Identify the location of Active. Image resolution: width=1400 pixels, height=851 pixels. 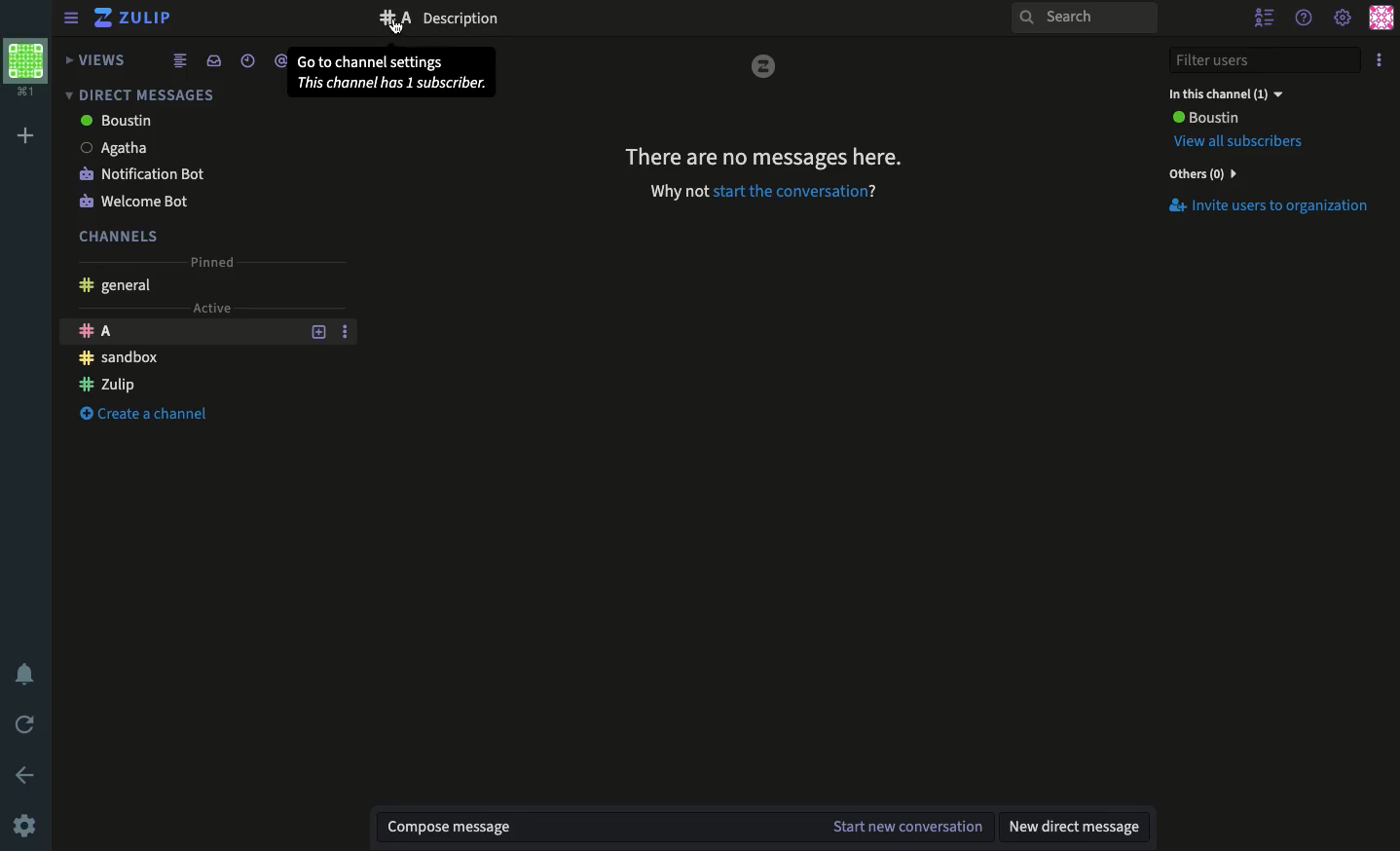
(213, 308).